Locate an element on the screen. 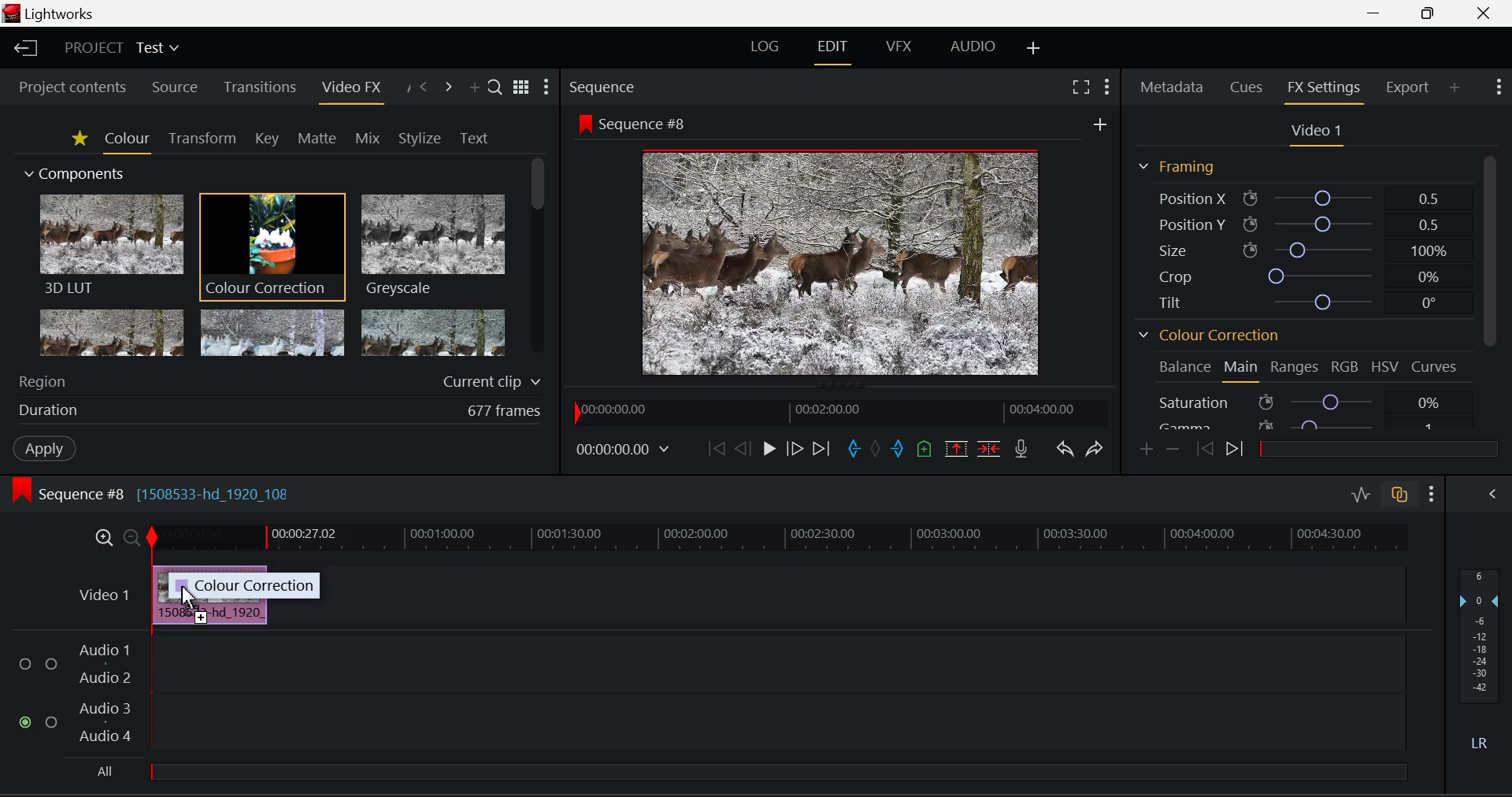  Add keyframe is located at coordinates (1147, 450).